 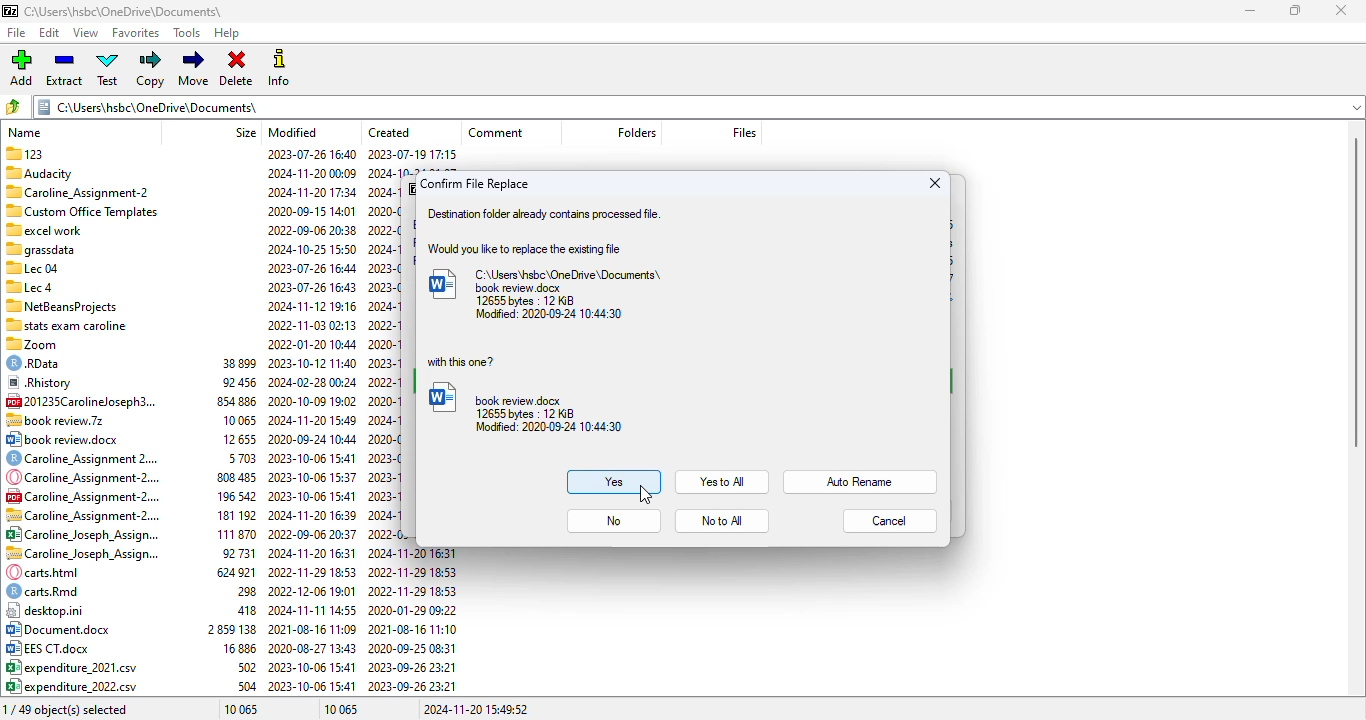 I want to click on size, so click(x=245, y=131).